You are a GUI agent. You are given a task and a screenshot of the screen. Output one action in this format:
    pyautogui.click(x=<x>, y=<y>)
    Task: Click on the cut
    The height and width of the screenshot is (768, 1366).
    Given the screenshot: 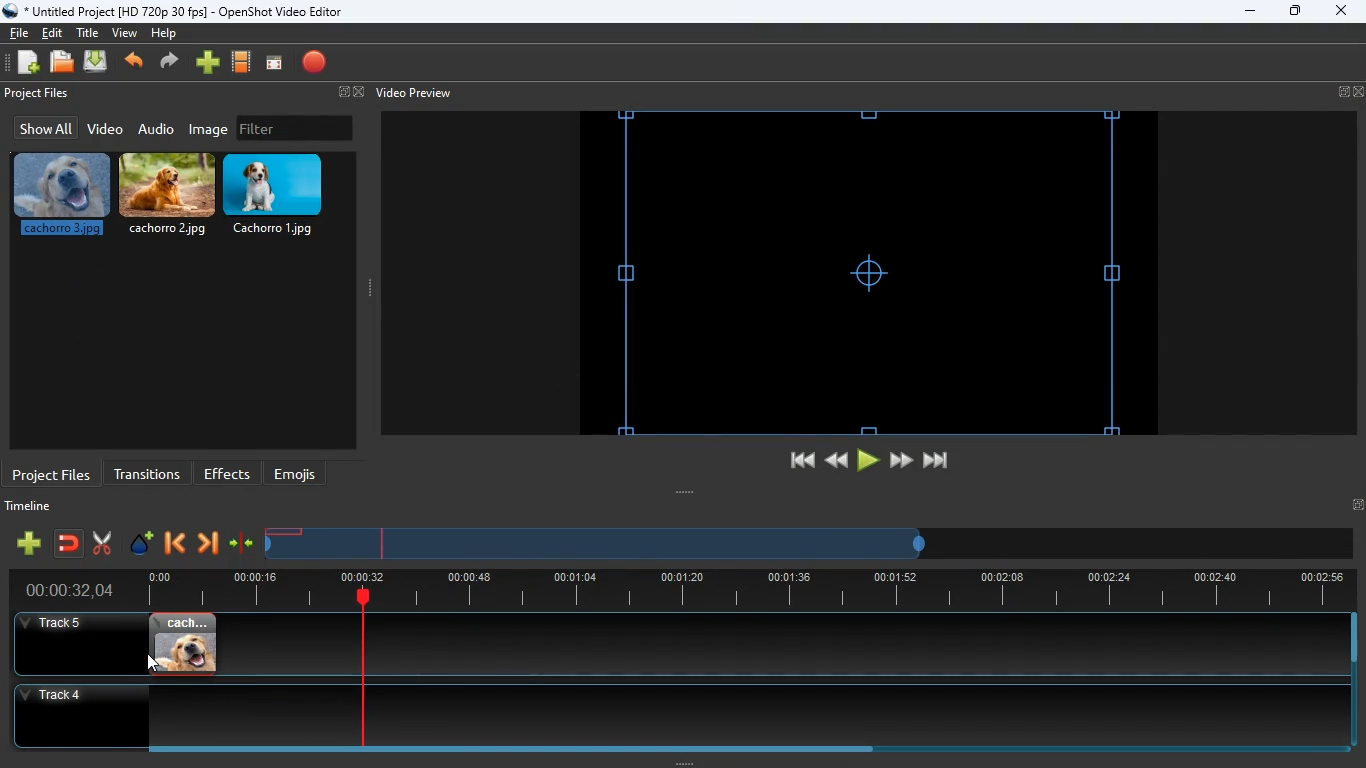 What is the action you would take?
    pyautogui.click(x=102, y=543)
    